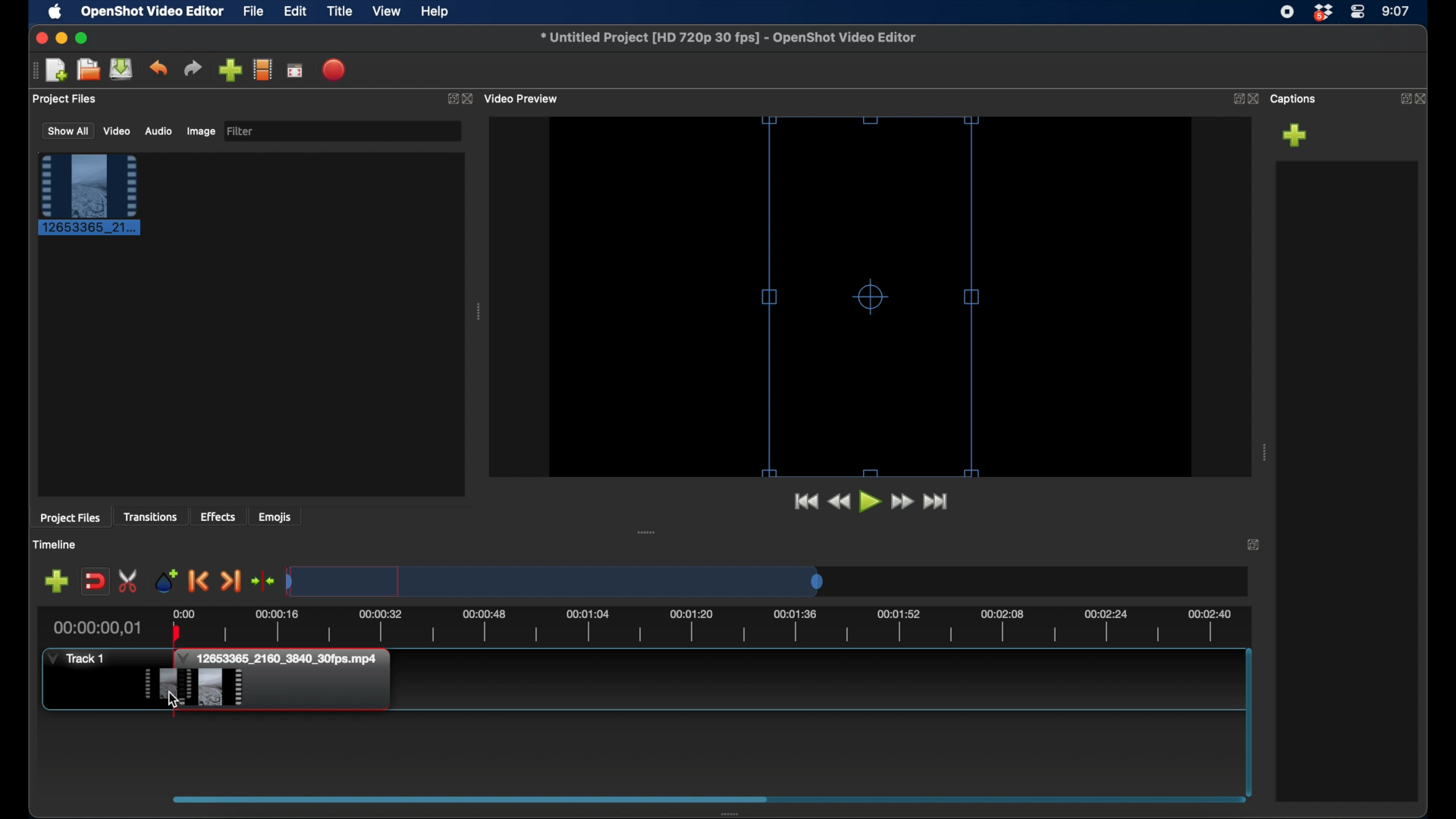  Describe the element at coordinates (173, 701) in the screenshot. I see `cursor` at that location.